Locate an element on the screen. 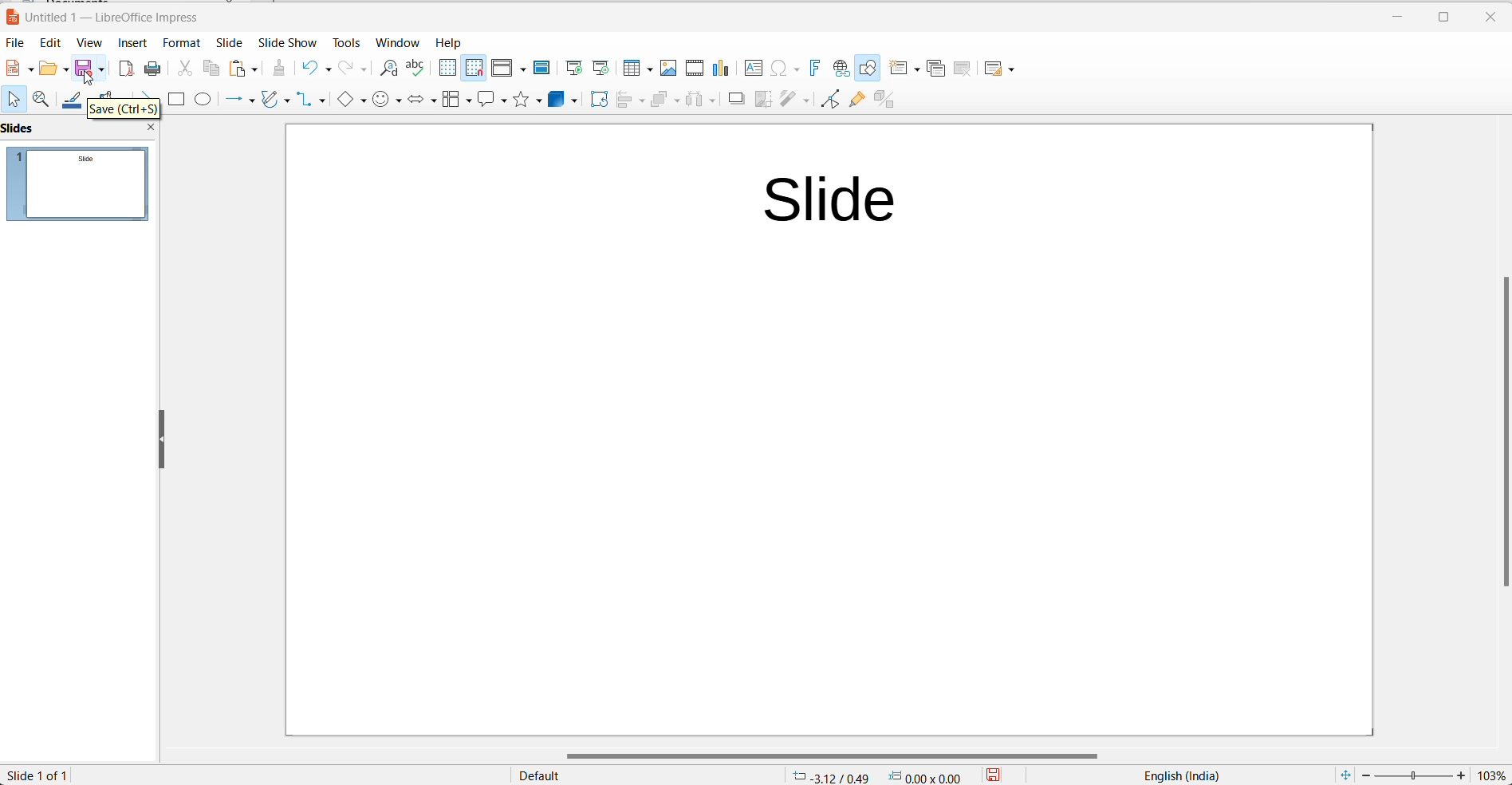 This screenshot has width=1512, height=785. slide show is located at coordinates (285, 44).